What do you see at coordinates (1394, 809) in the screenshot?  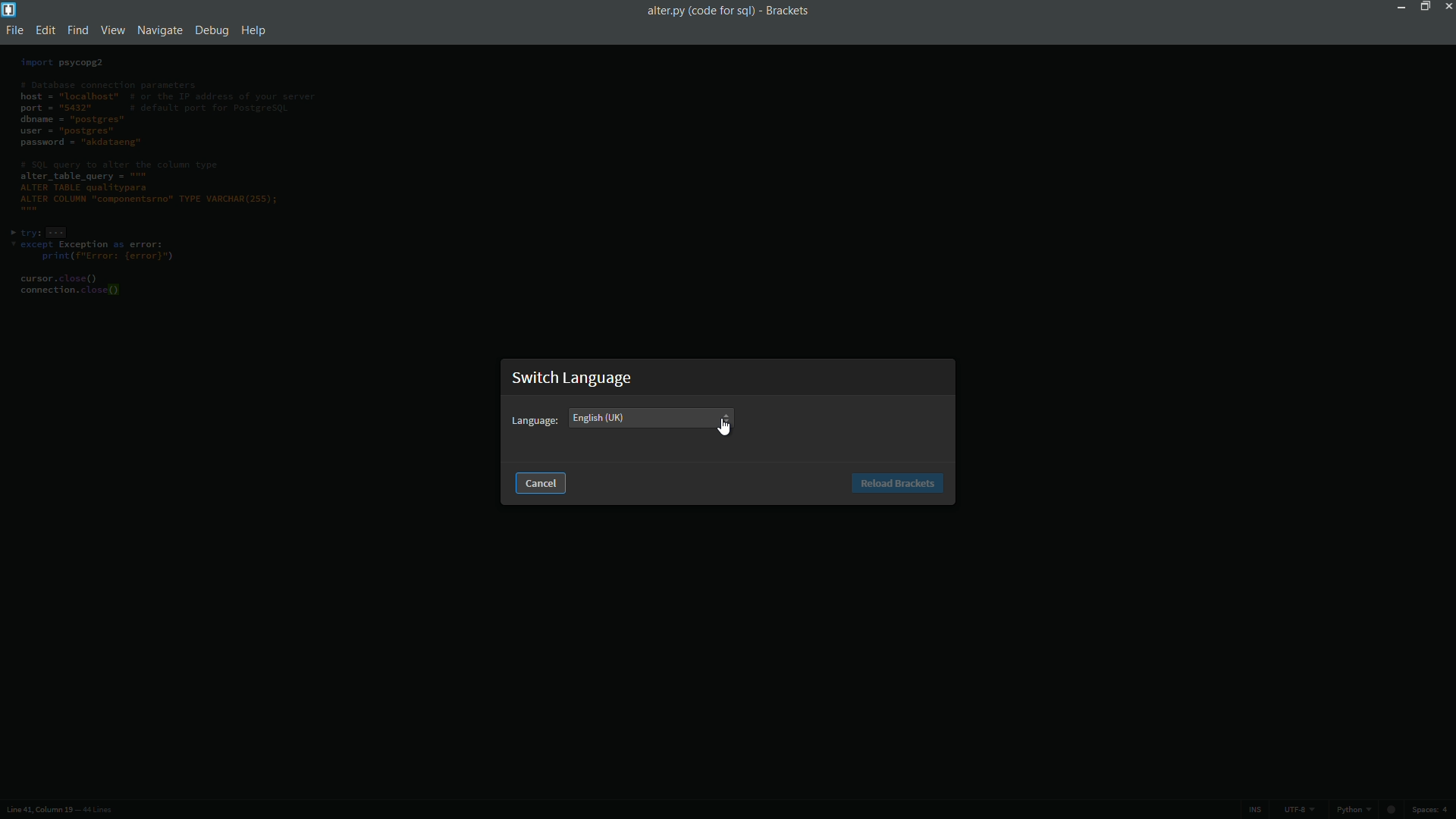 I see `circle` at bounding box center [1394, 809].